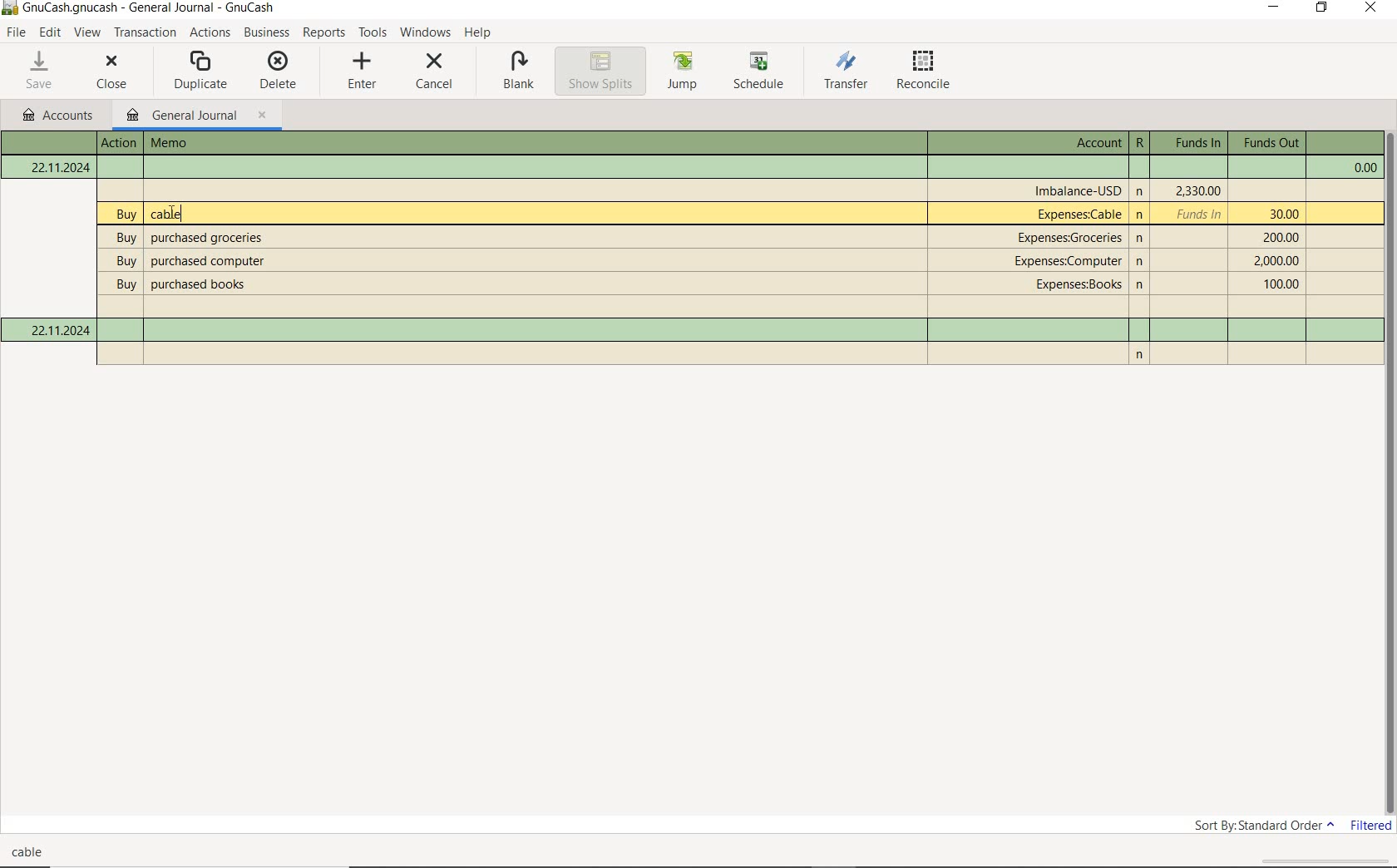 The height and width of the screenshot is (868, 1397). I want to click on general journal, so click(196, 116).